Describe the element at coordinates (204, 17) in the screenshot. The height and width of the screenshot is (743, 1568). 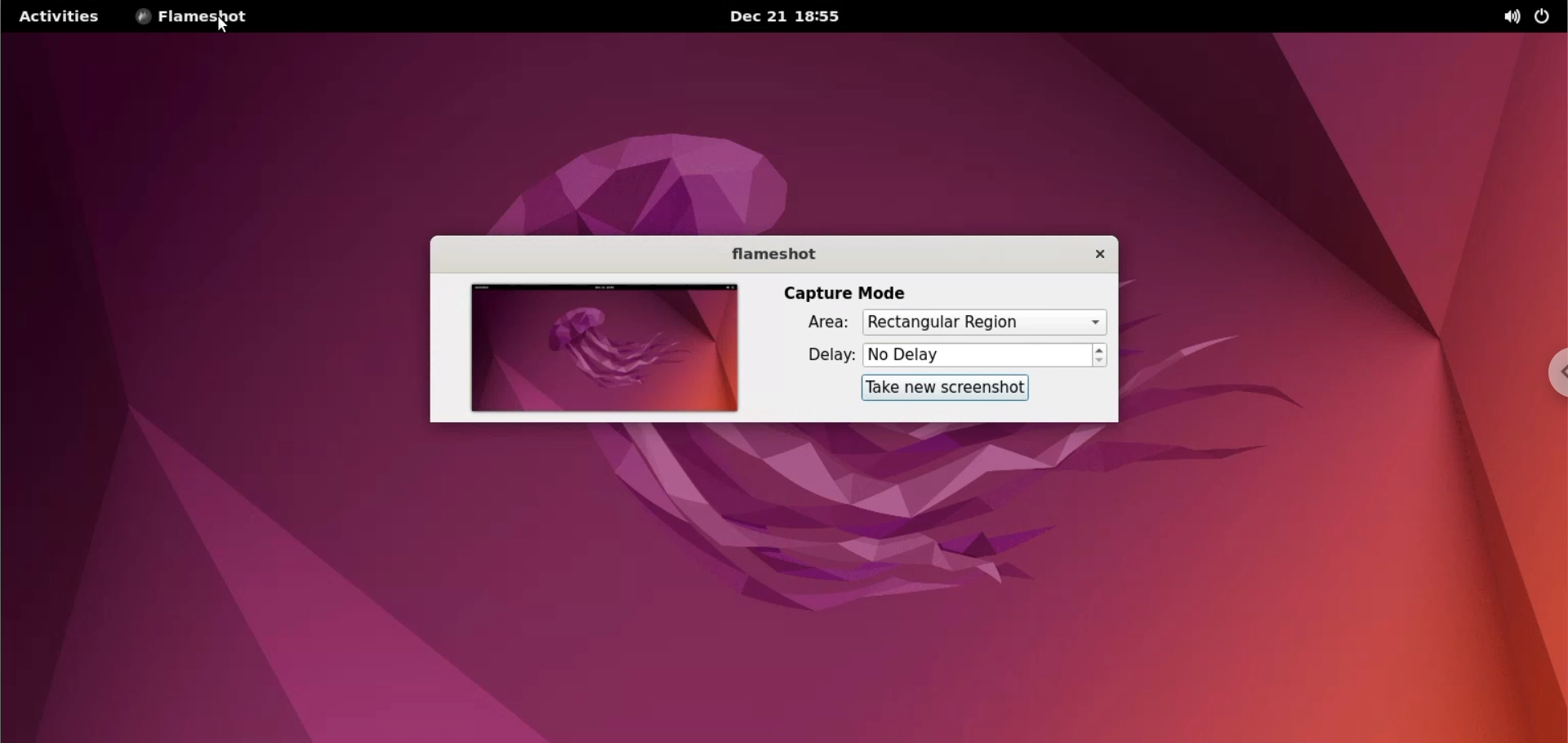
I see `FLAMESHOT` at that location.